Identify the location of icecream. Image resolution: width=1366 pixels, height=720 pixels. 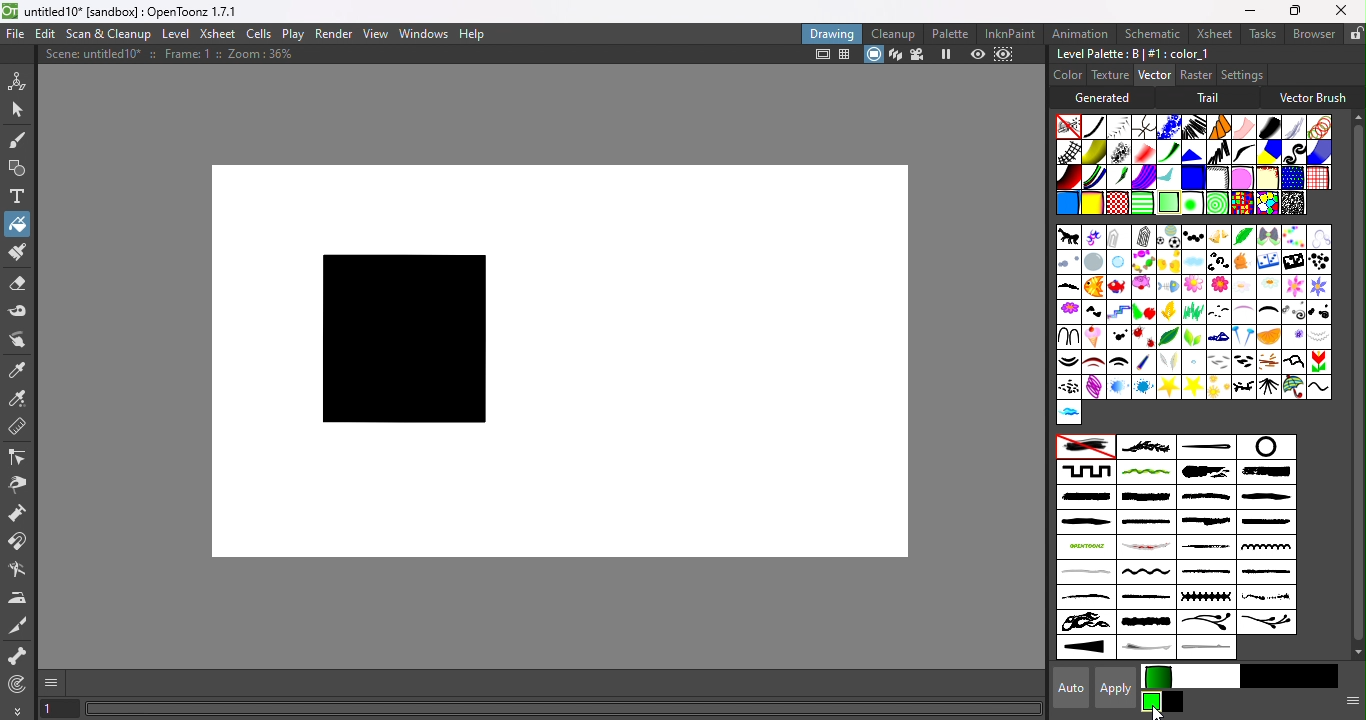
(1095, 336).